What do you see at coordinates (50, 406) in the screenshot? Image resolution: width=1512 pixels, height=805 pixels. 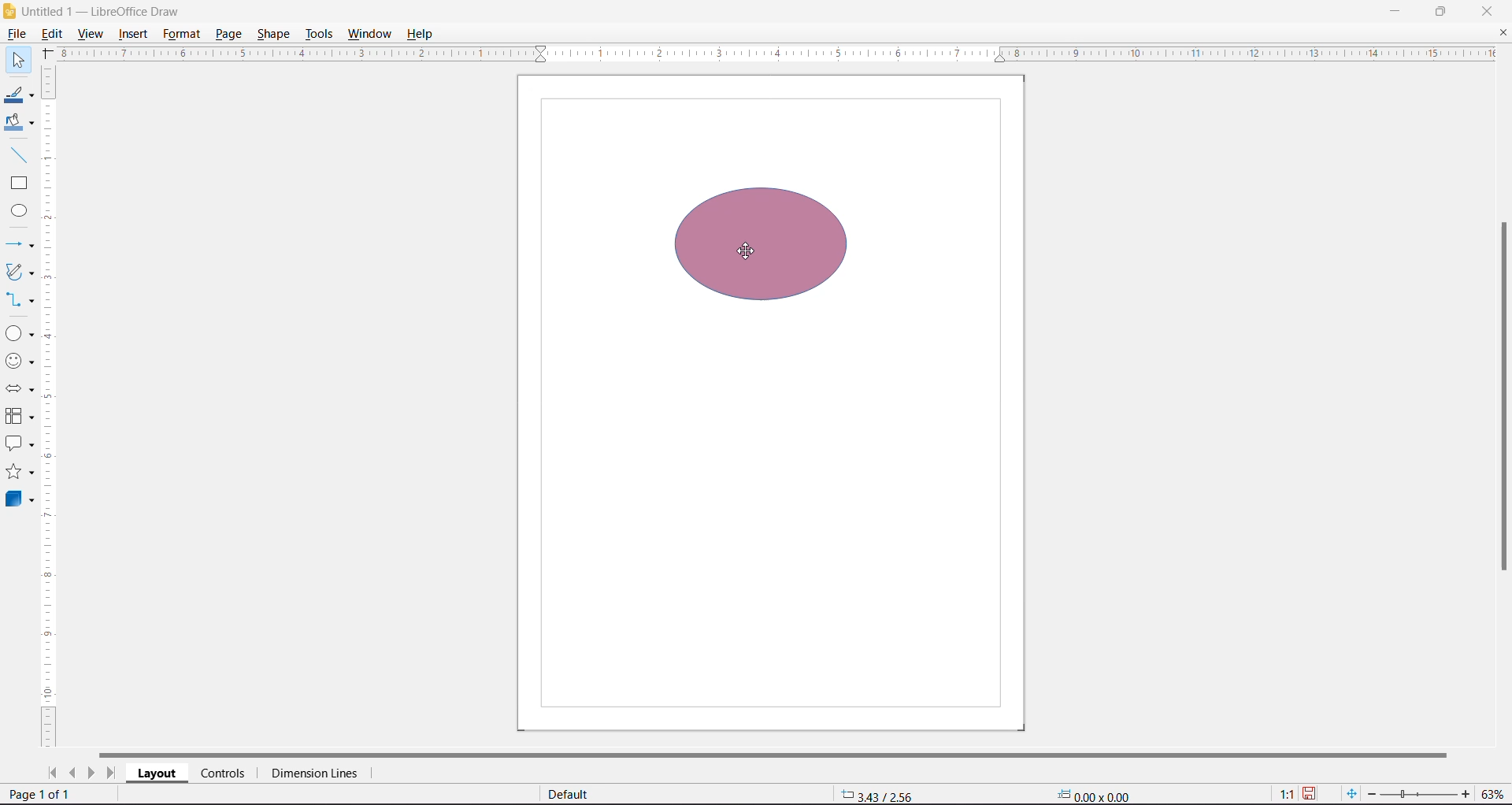 I see `Vertical Ruler` at bounding box center [50, 406].